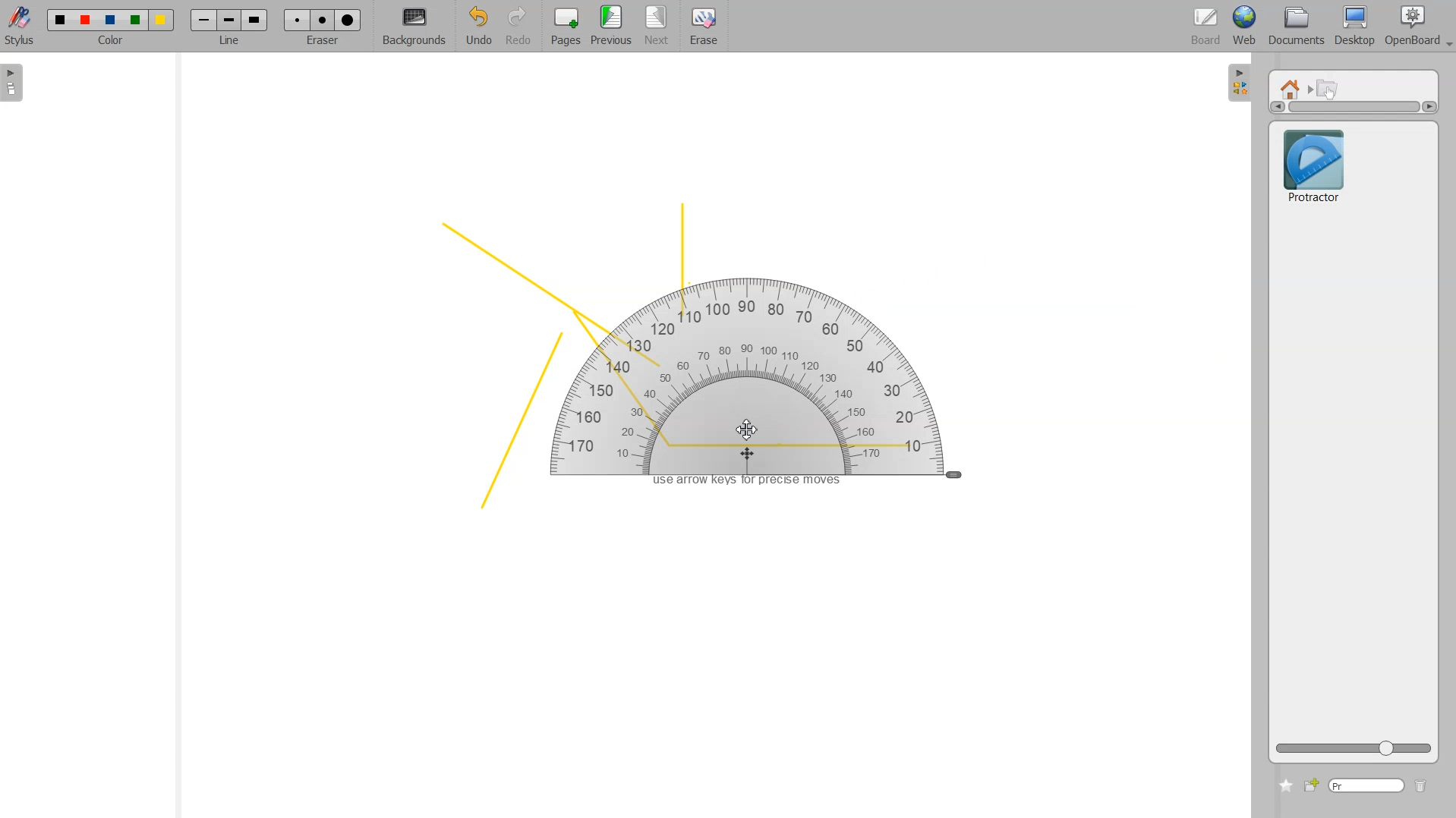  Describe the element at coordinates (1366, 786) in the screenshot. I see `Type window` at that location.